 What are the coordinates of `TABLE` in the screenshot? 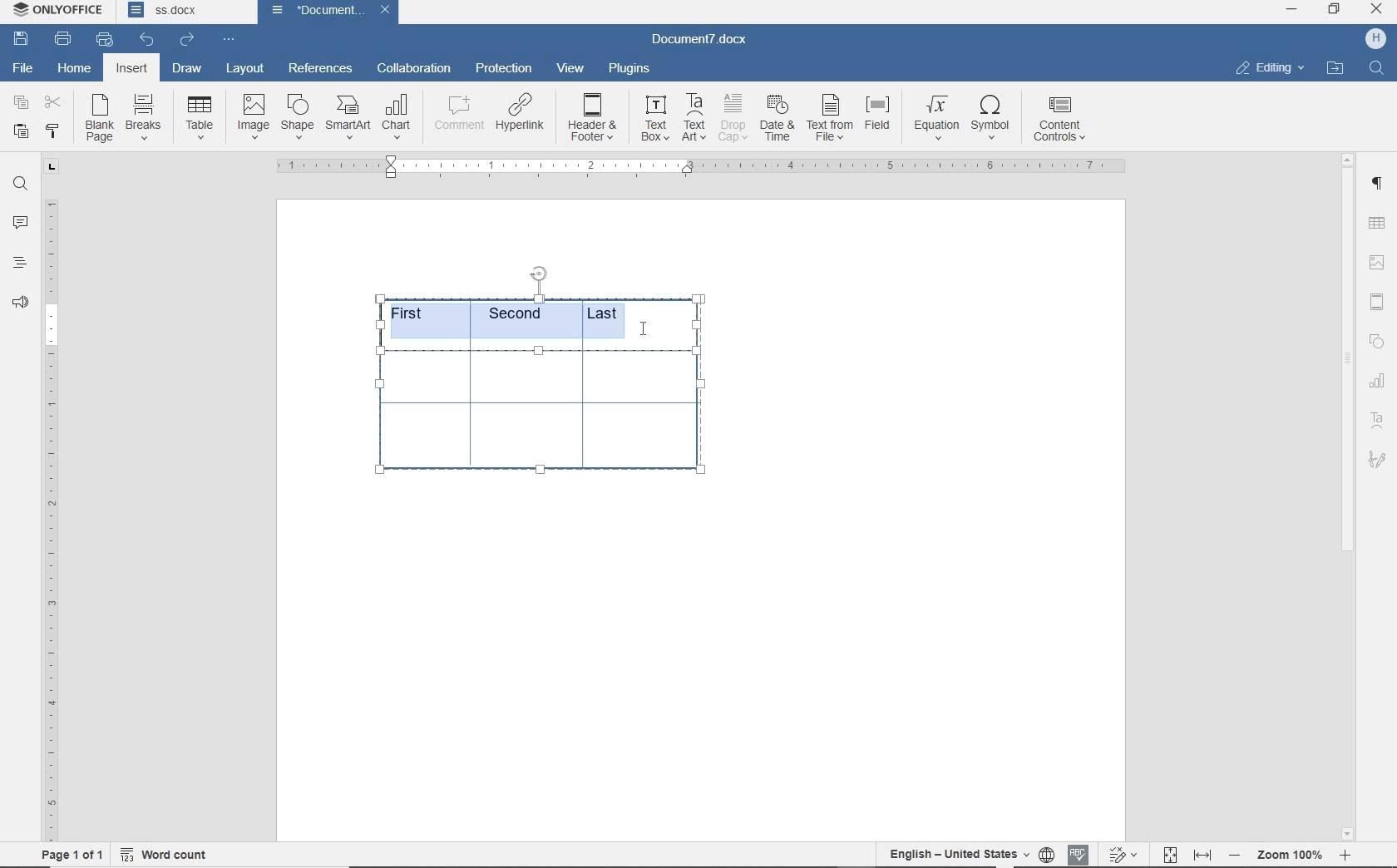 It's located at (1379, 382).